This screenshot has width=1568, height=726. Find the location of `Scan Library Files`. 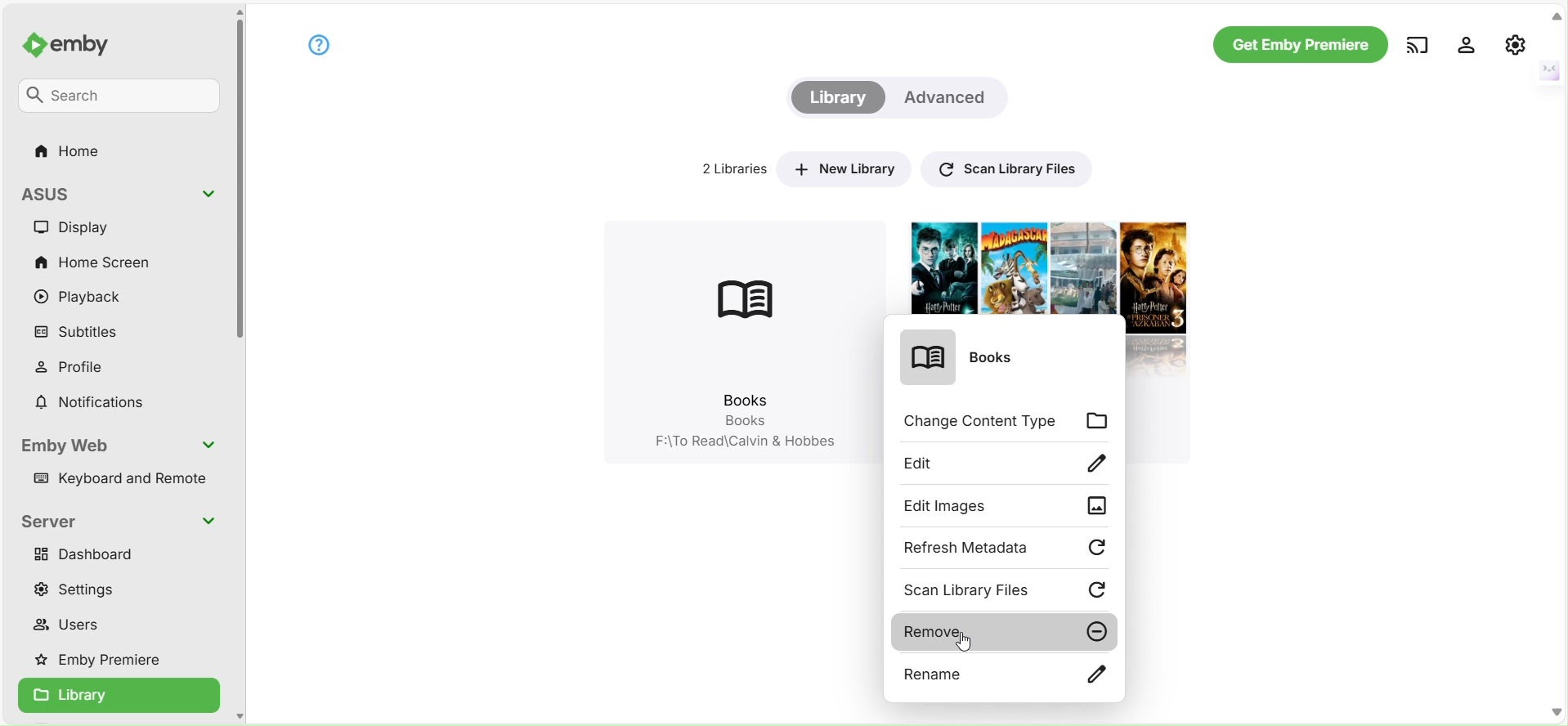

Scan Library Files is located at coordinates (1008, 590).